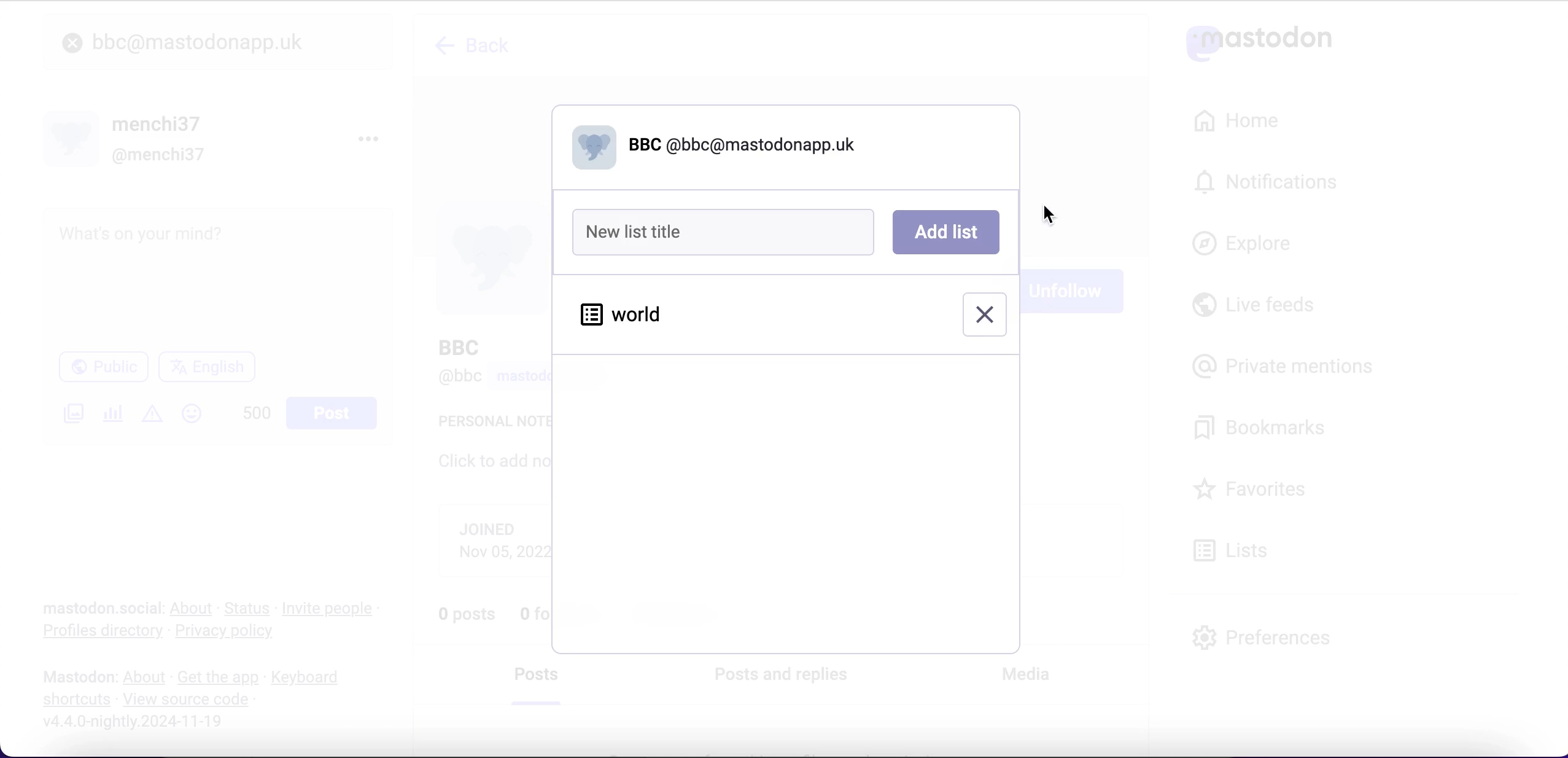 The image size is (1568, 758). I want to click on lists, so click(1238, 549).